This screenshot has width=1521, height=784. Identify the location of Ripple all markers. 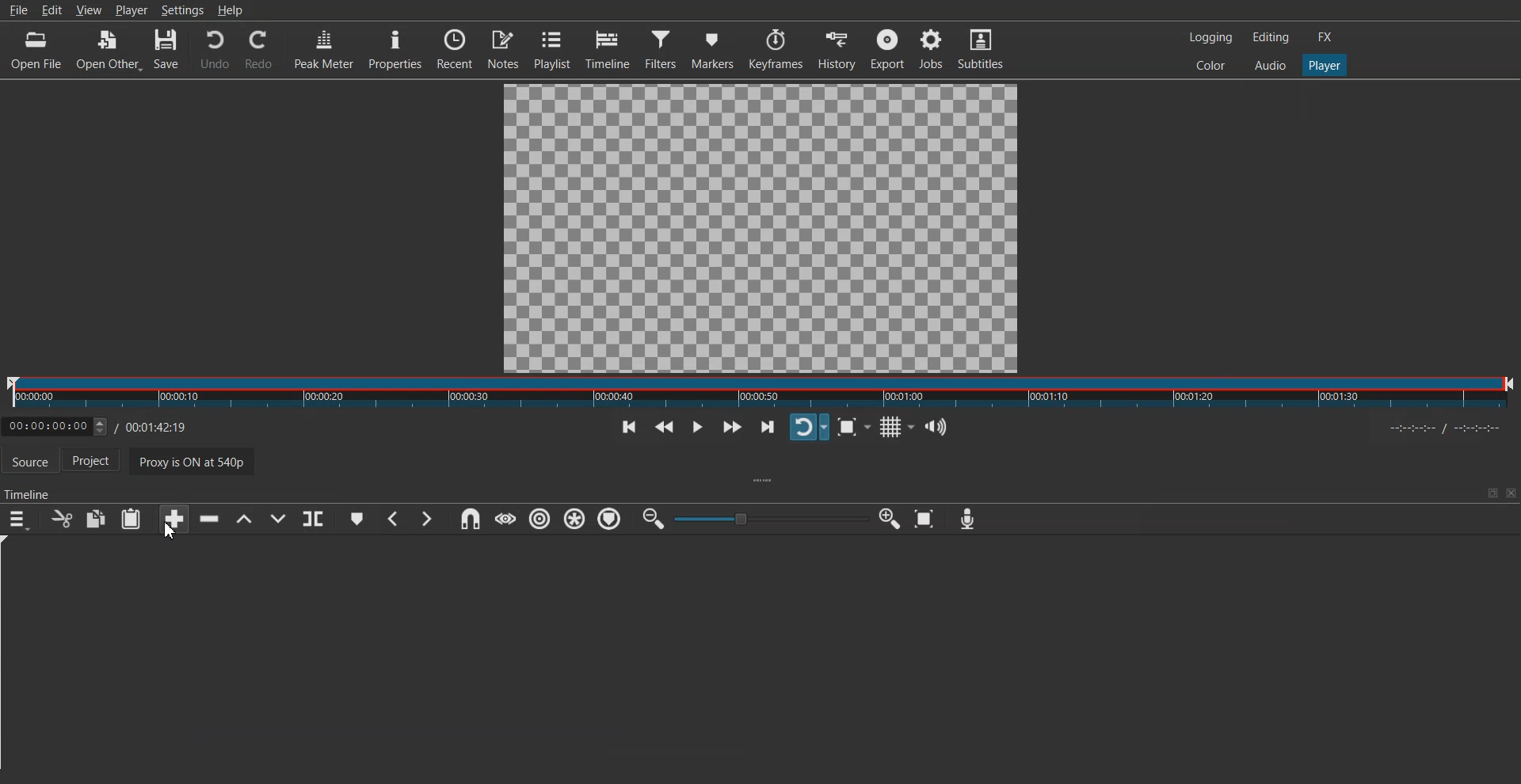
(575, 519).